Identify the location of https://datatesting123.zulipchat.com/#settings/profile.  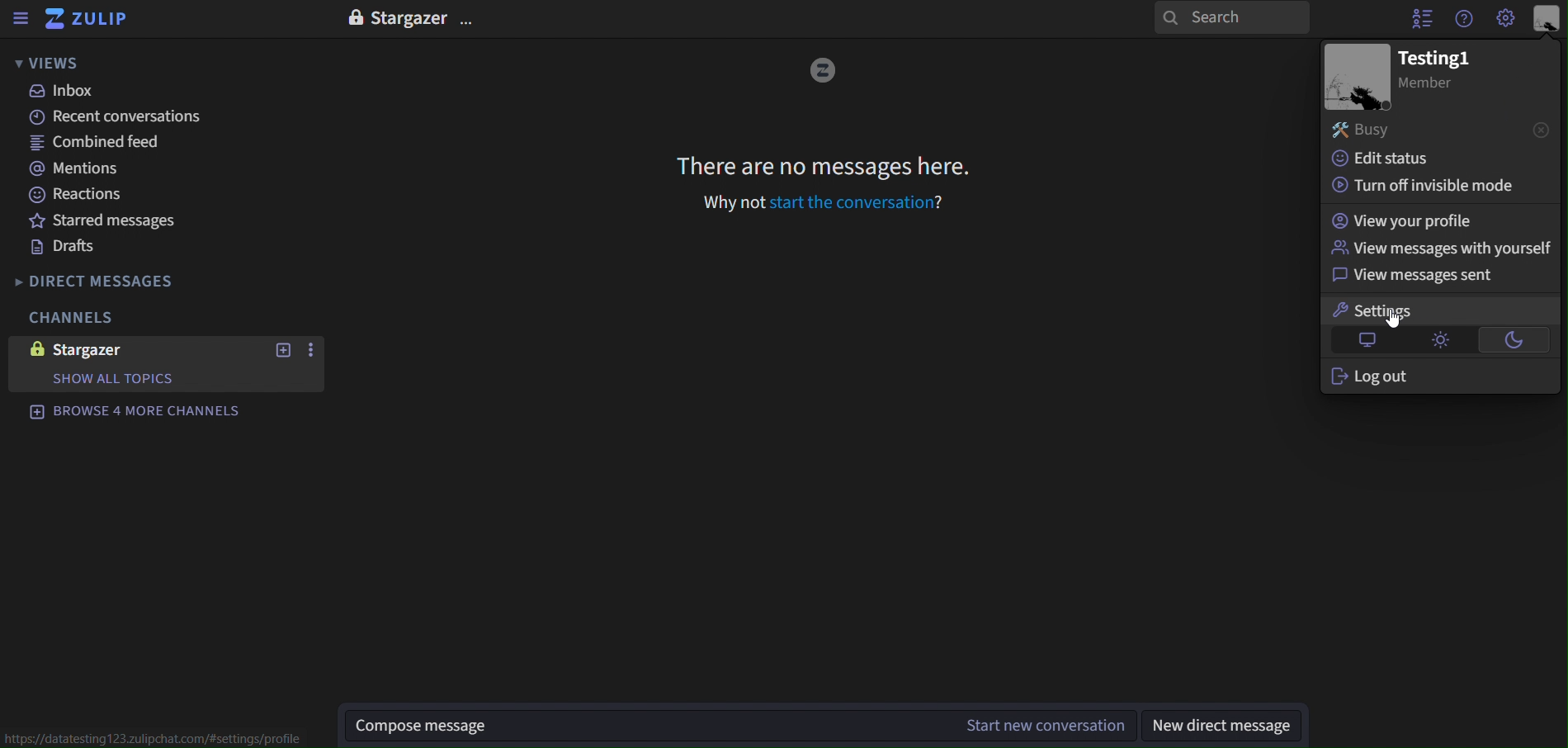
(156, 737).